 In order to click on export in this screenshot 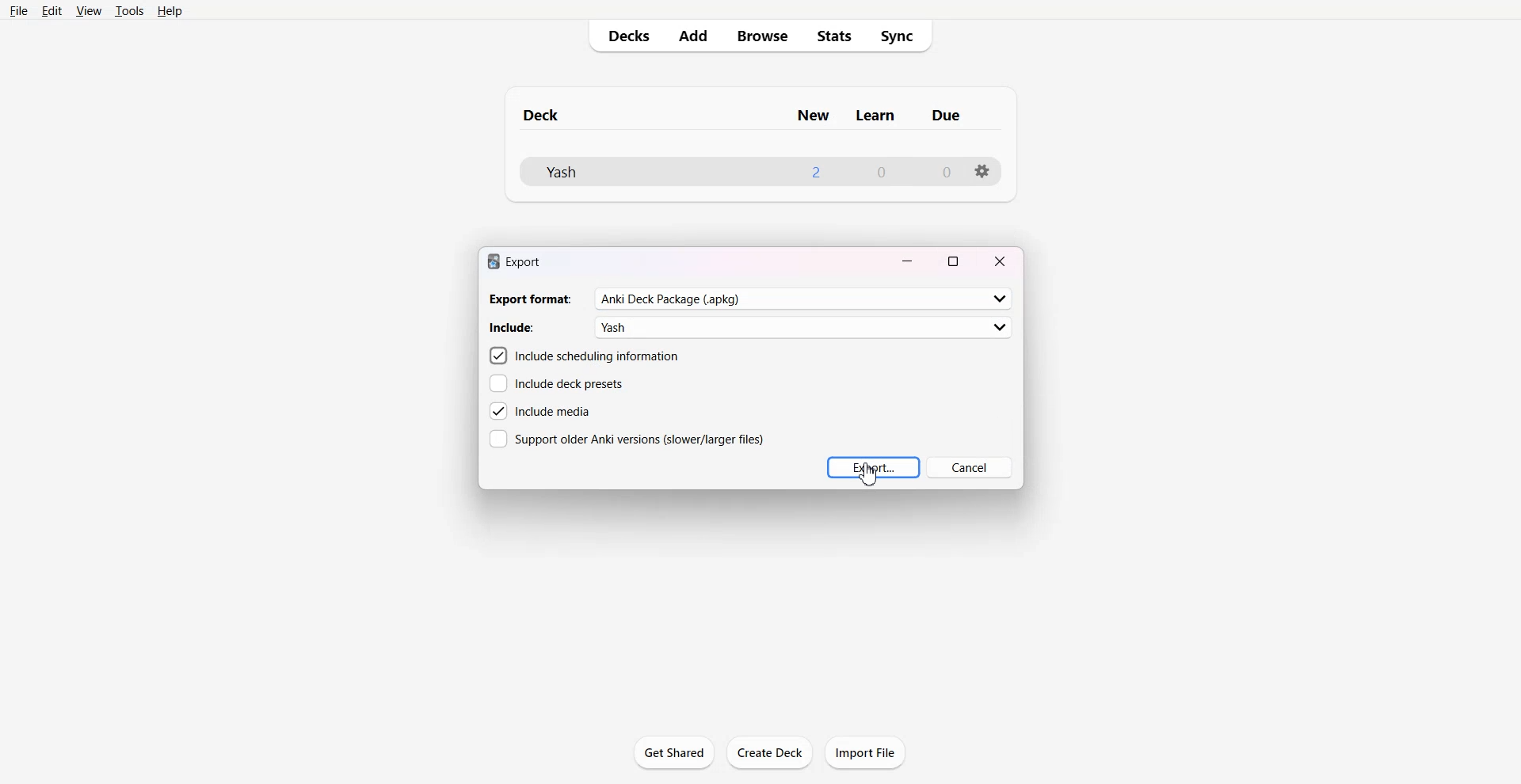, I will do `click(513, 261)`.